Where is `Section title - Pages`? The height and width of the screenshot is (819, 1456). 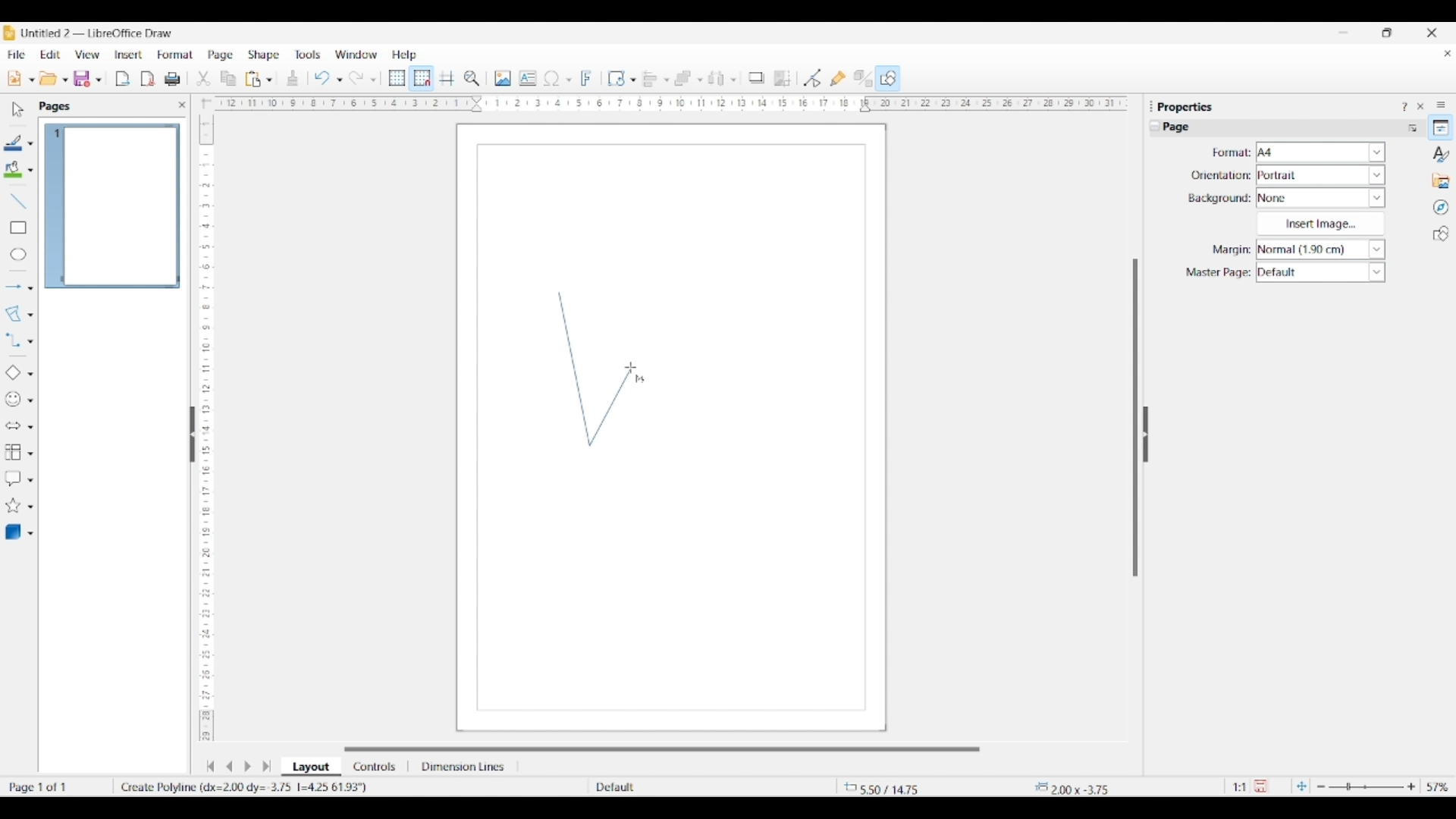
Section title - Pages is located at coordinates (58, 106).